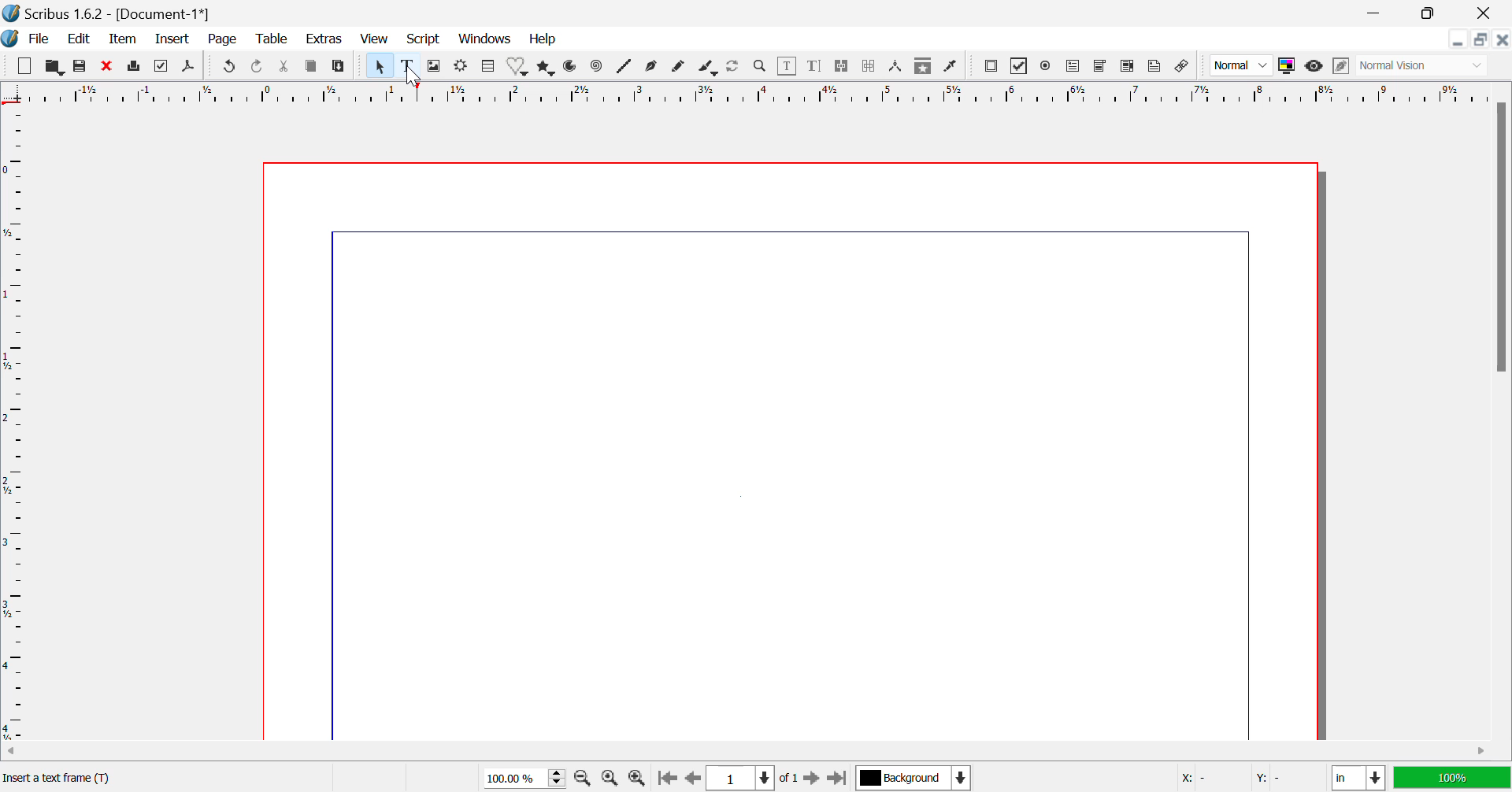 The height and width of the screenshot is (792, 1512). What do you see at coordinates (1020, 65) in the screenshot?
I see `PDF checkbox` at bounding box center [1020, 65].